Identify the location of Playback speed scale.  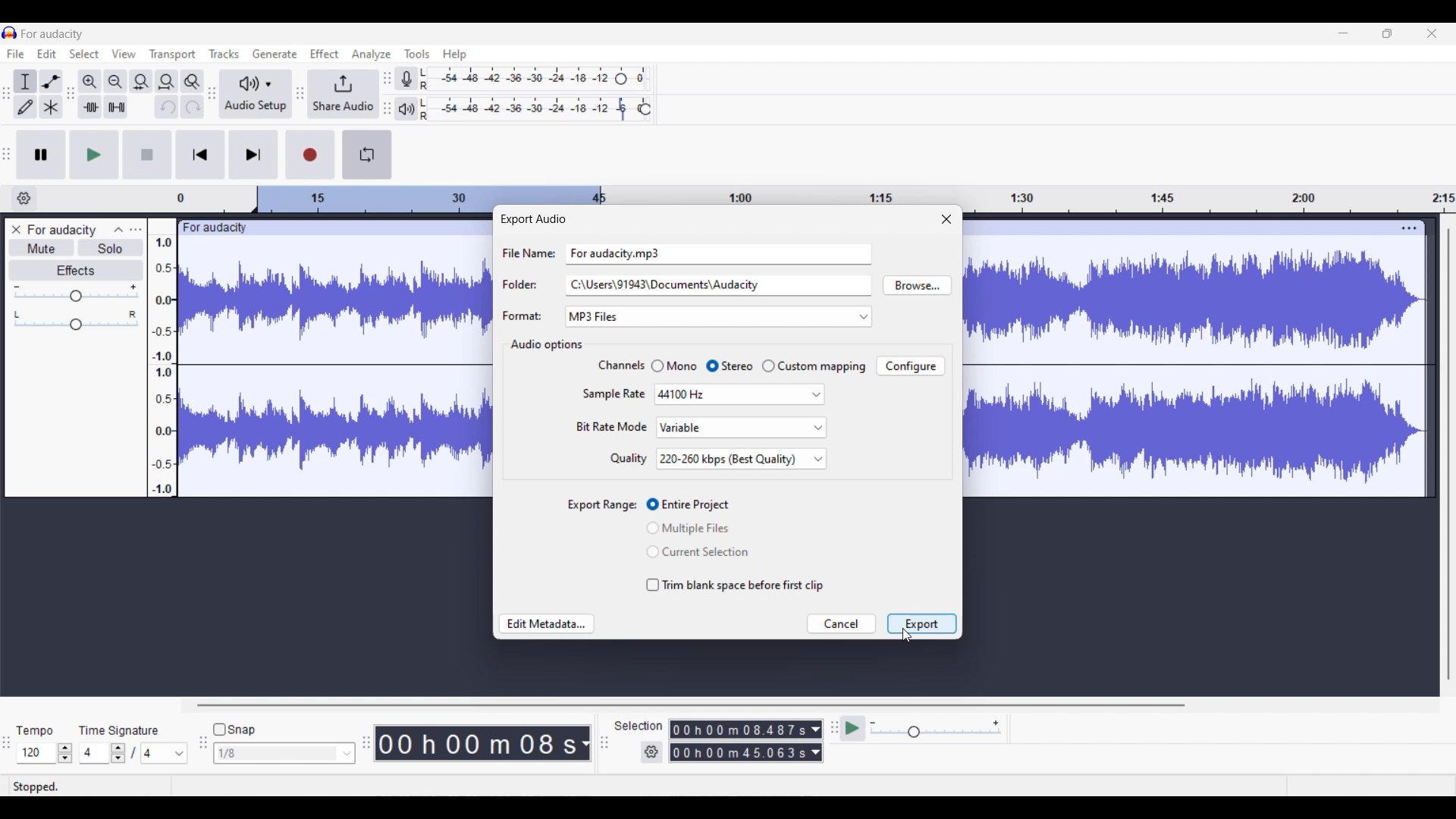
(936, 728).